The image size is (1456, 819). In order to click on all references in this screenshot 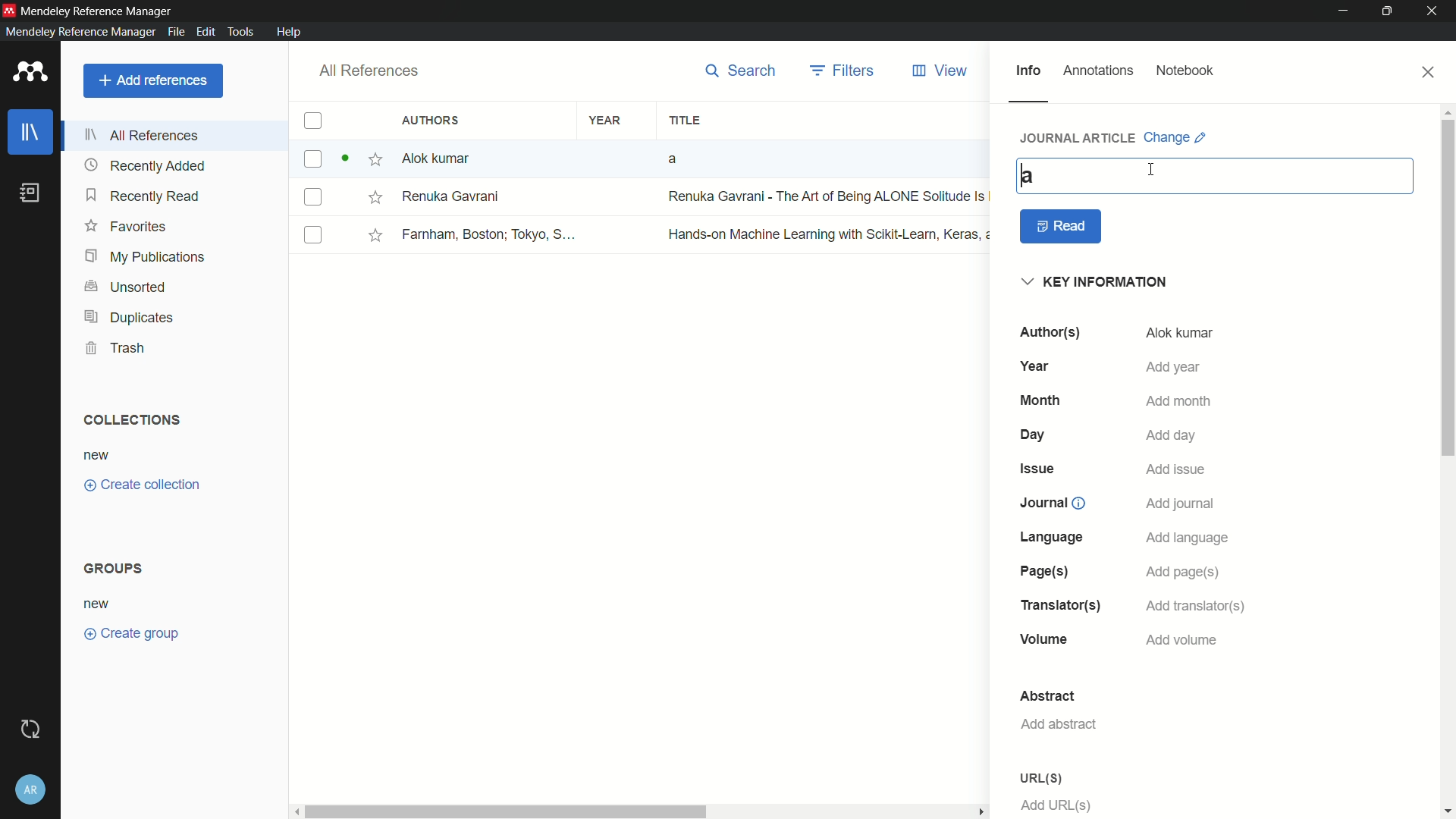, I will do `click(366, 71)`.